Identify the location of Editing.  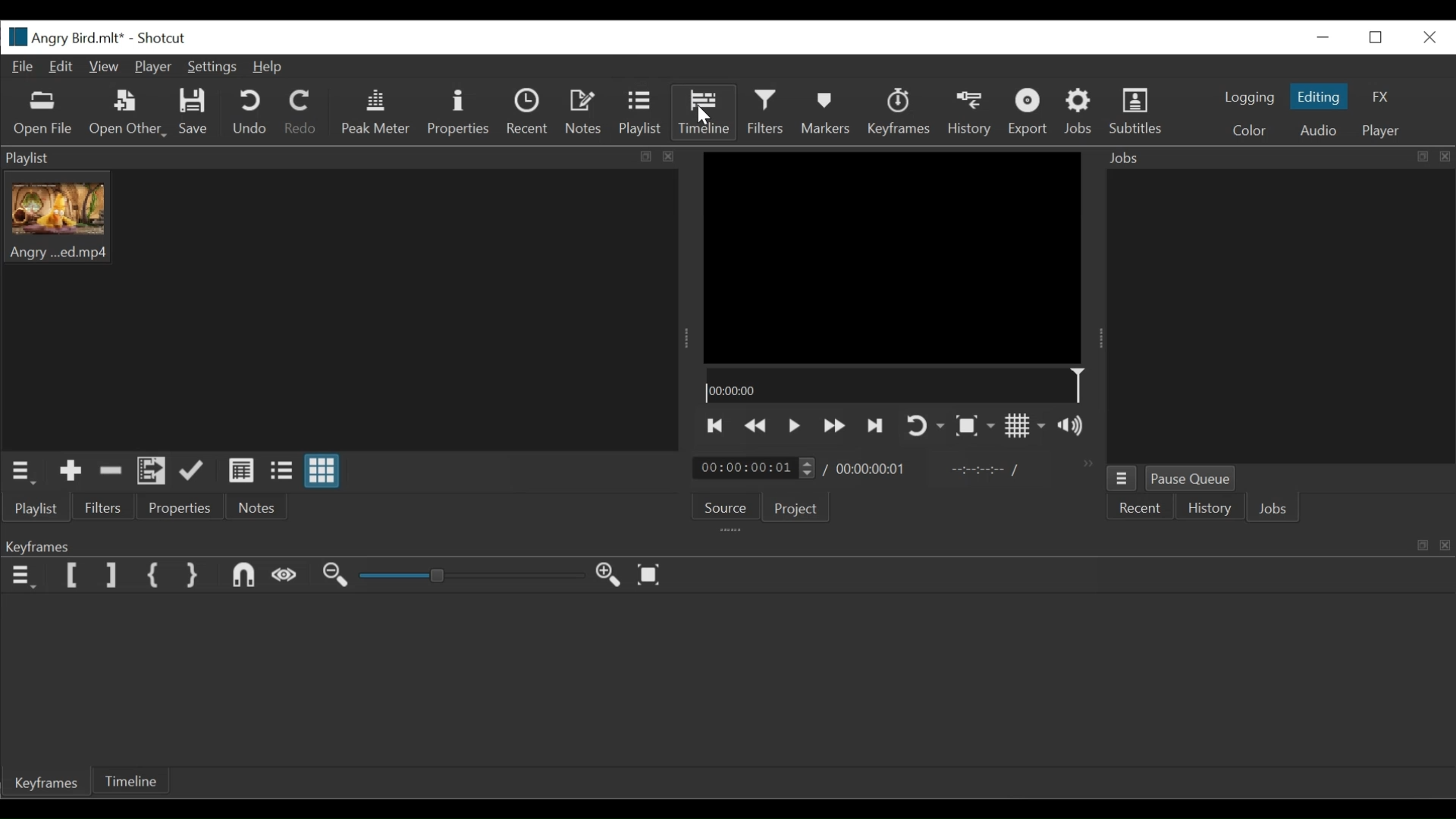
(1319, 96).